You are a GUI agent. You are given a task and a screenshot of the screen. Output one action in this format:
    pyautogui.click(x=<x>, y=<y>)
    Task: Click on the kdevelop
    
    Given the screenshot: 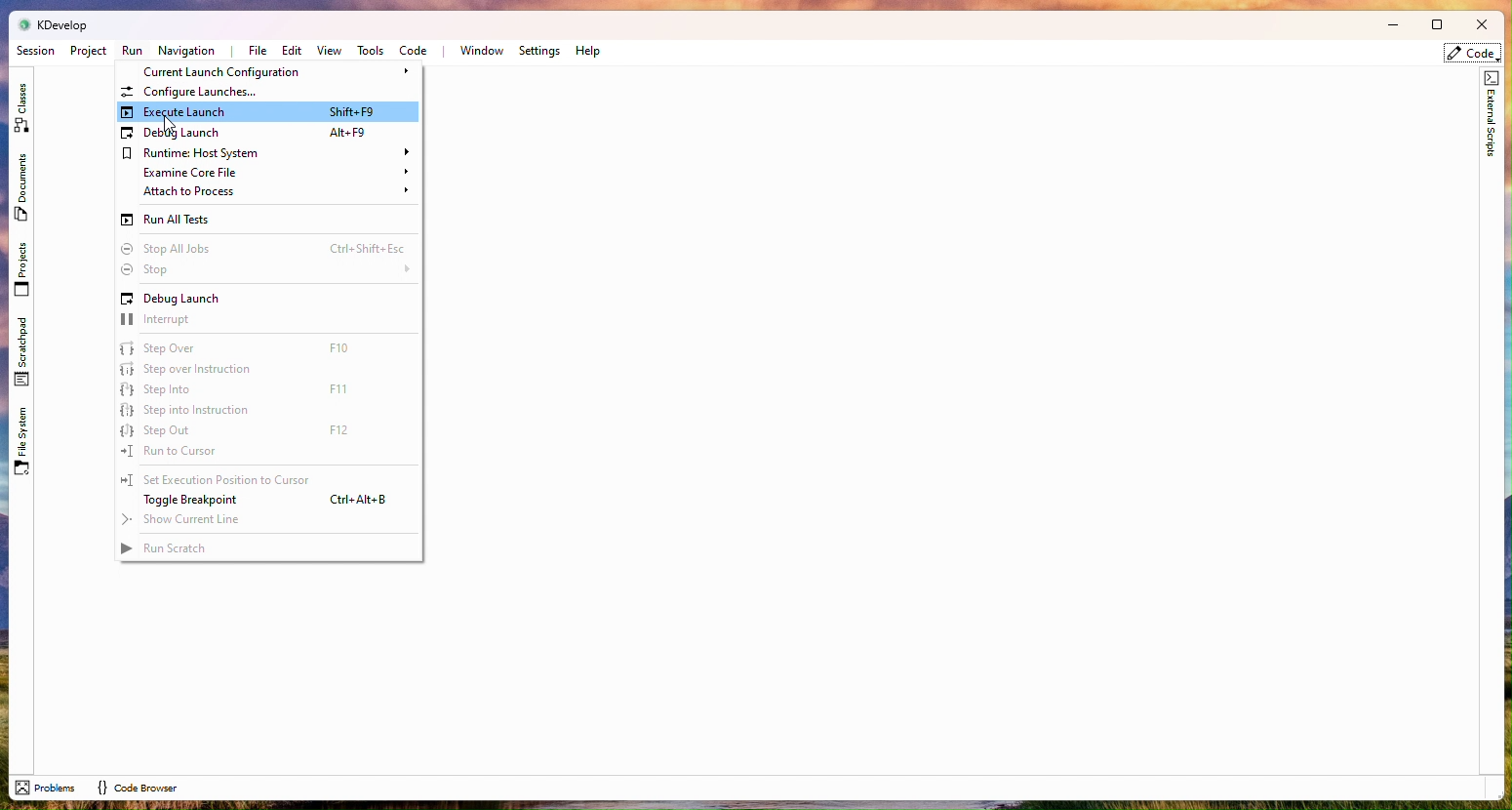 What is the action you would take?
    pyautogui.click(x=63, y=24)
    